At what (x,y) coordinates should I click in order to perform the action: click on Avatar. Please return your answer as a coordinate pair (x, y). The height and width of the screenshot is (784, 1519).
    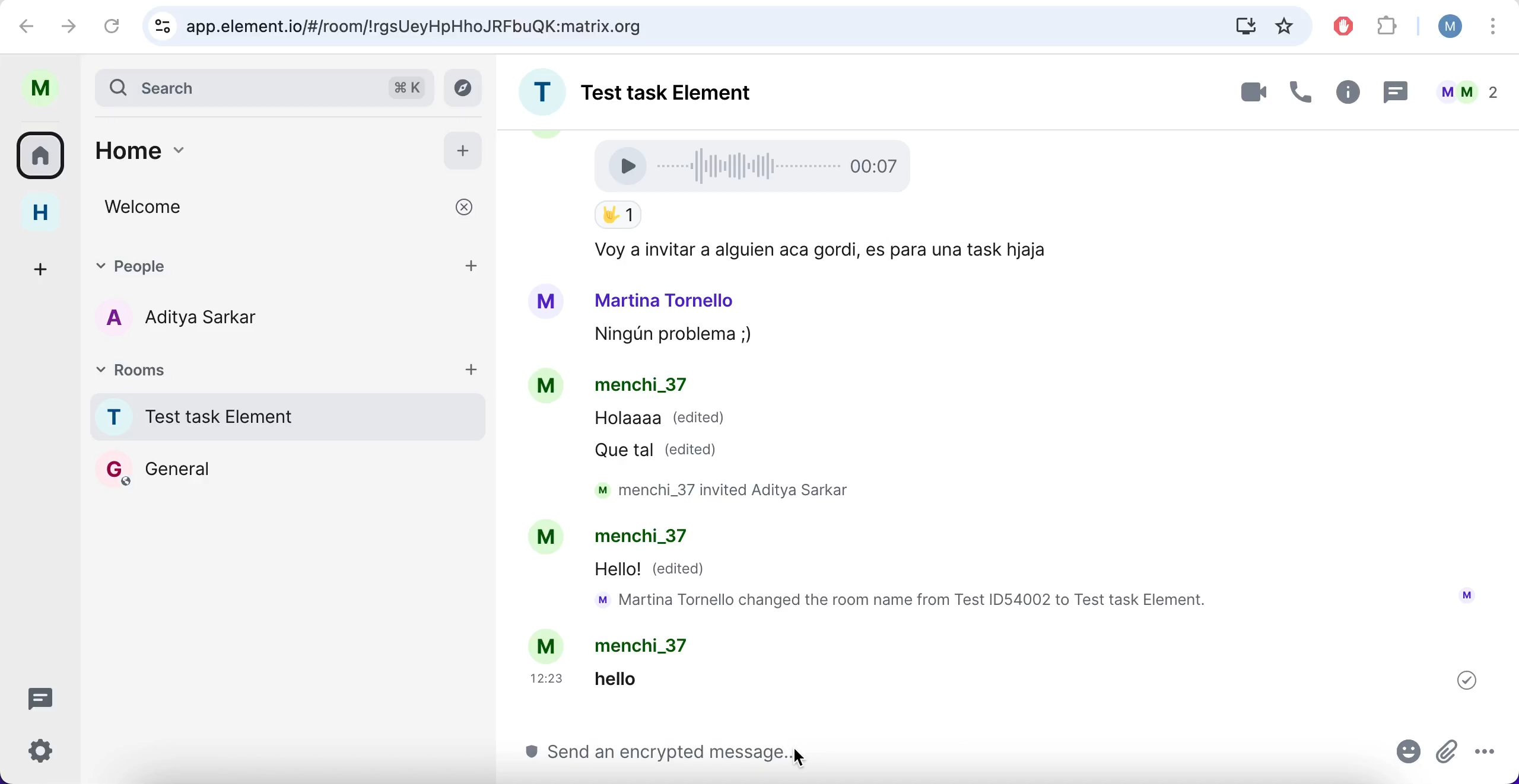
    Looking at the image, I should click on (545, 538).